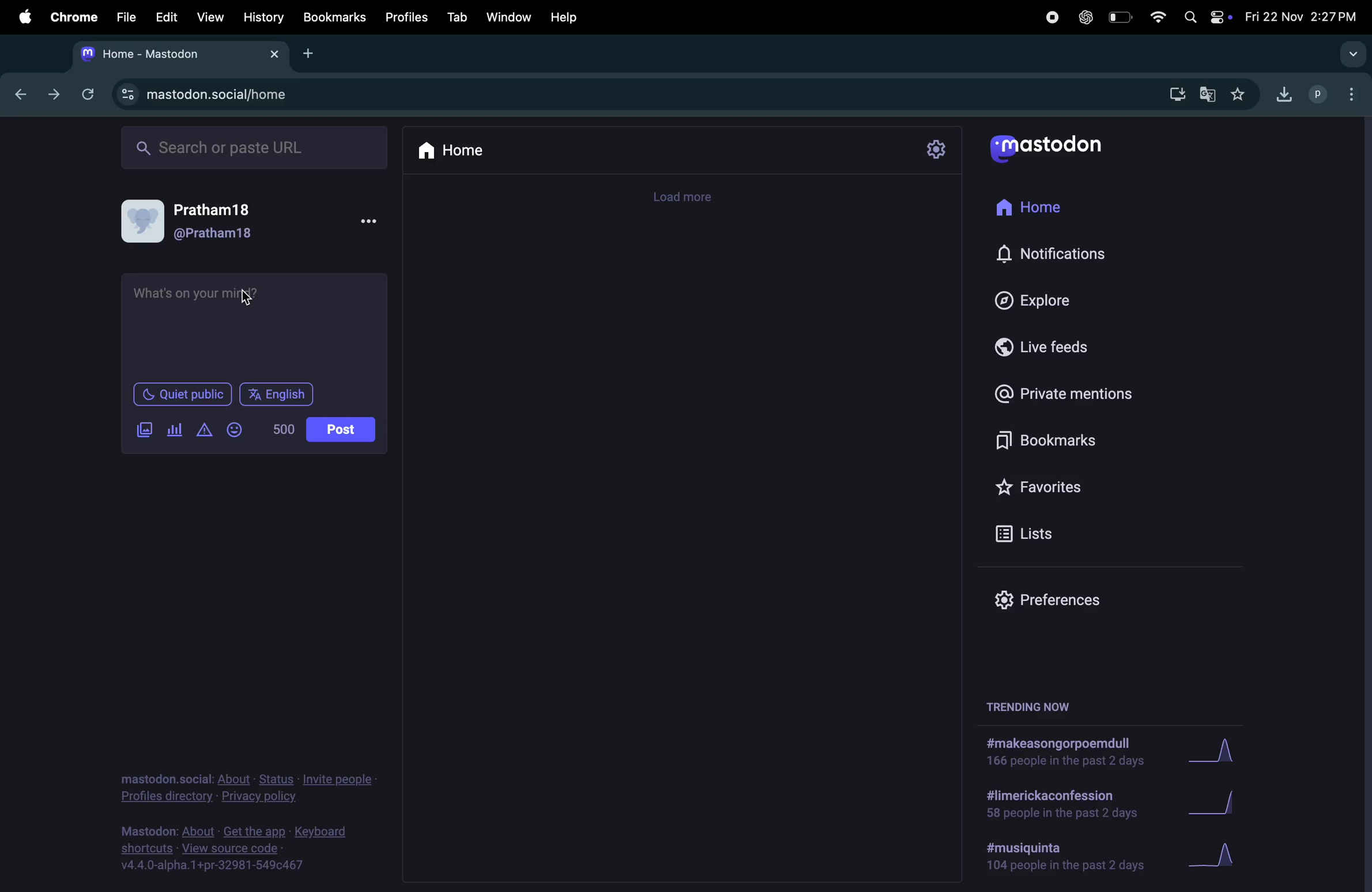 This screenshot has height=892, width=1372. I want to click on graph, so click(1226, 800).